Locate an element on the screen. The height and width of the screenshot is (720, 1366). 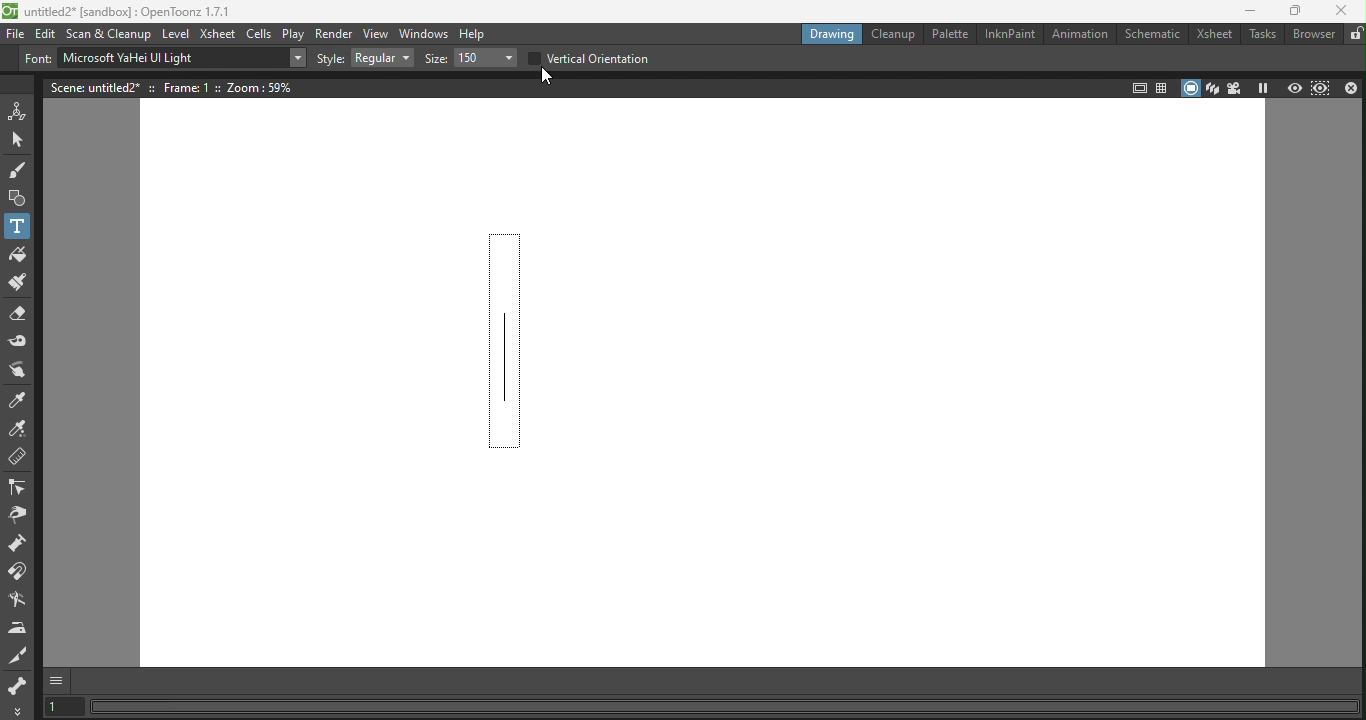
Cleanup is located at coordinates (895, 34).